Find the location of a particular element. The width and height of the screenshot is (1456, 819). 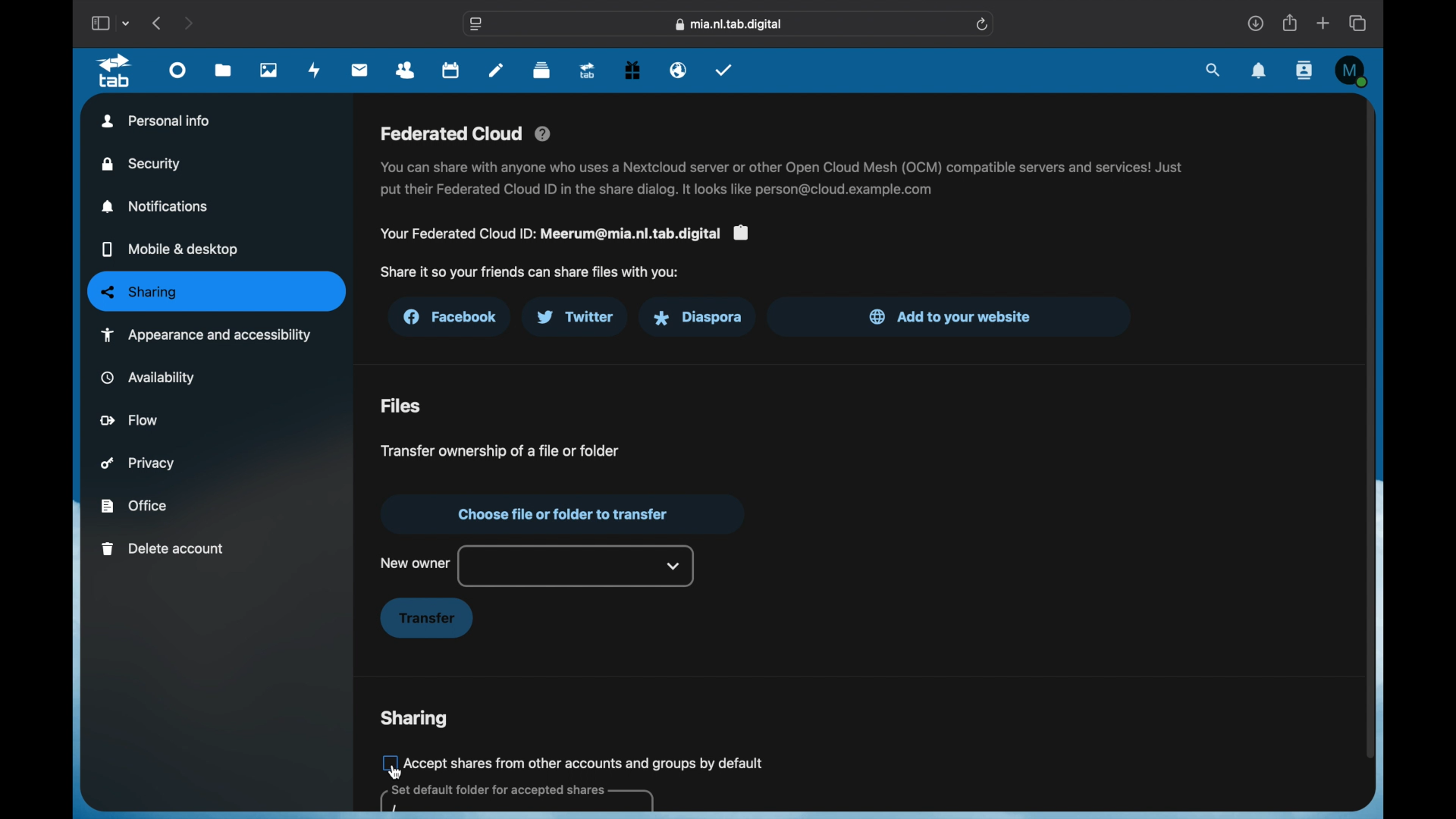

delete account is located at coordinates (163, 549).